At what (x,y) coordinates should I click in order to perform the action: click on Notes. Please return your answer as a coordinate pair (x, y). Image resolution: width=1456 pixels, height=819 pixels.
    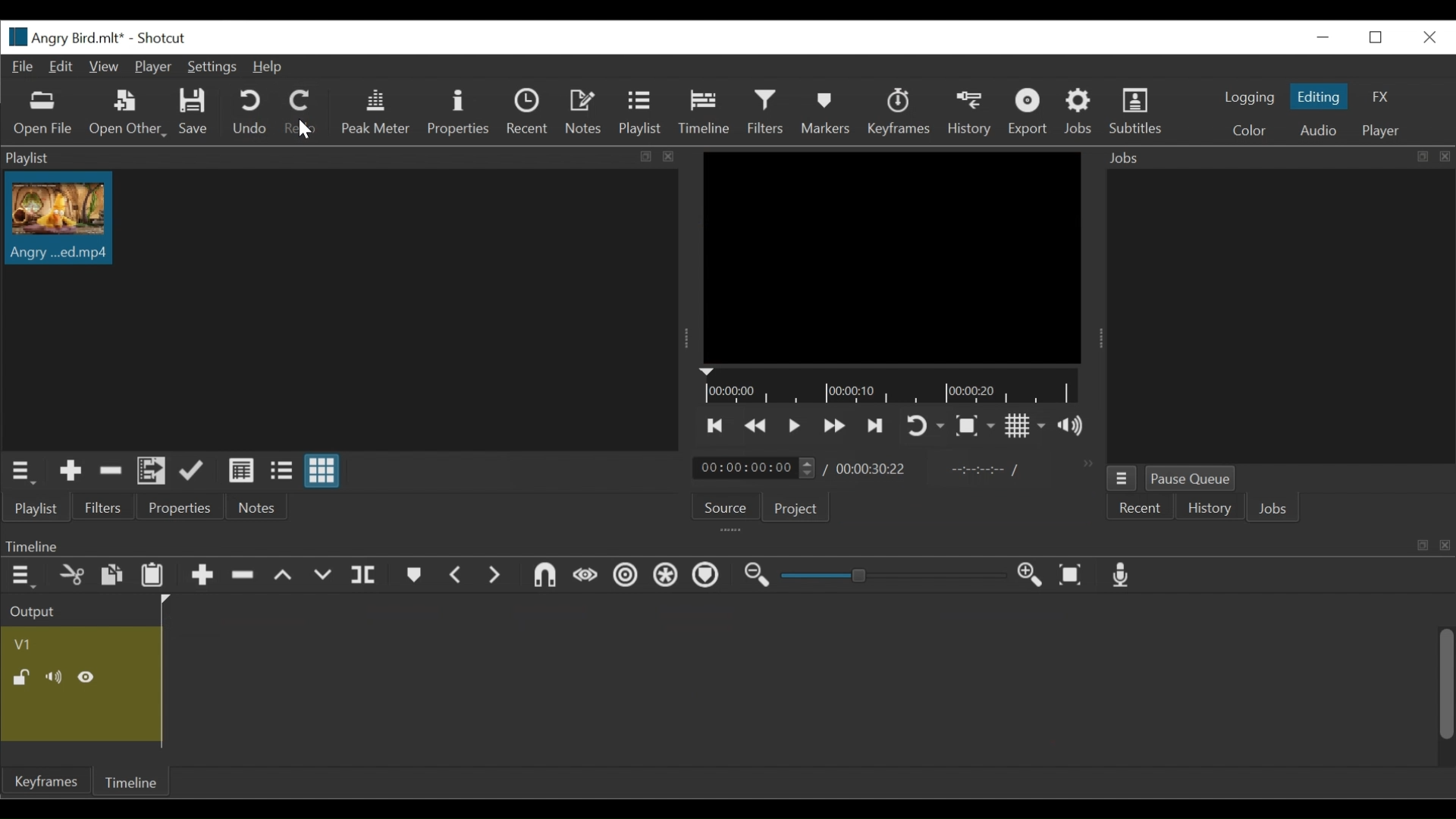
    Looking at the image, I should click on (252, 507).